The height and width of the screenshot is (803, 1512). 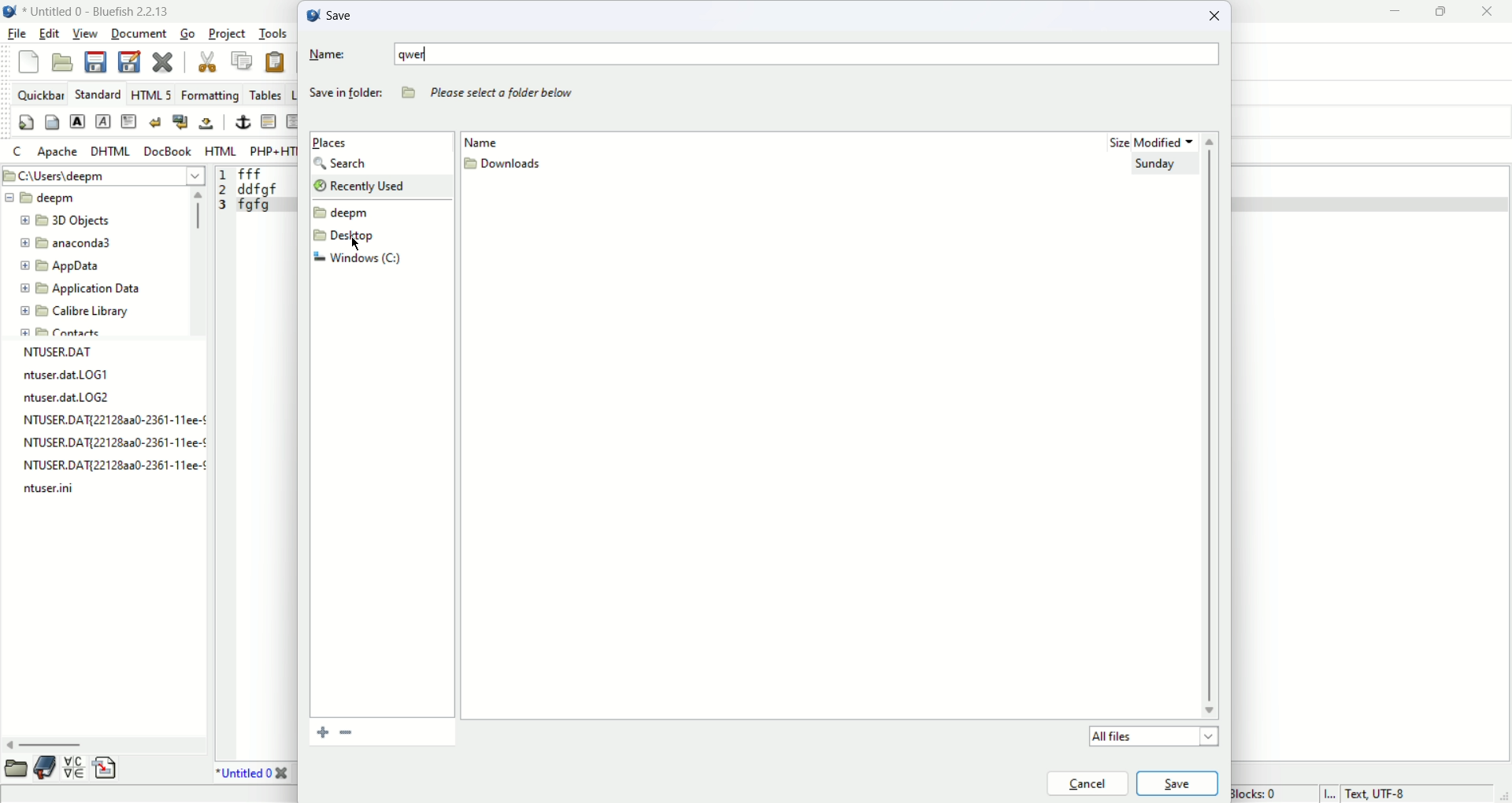 What do you see at coordinates (220, 150) in the screenshot?
I see `HTML` at bounding box center [220, 150].